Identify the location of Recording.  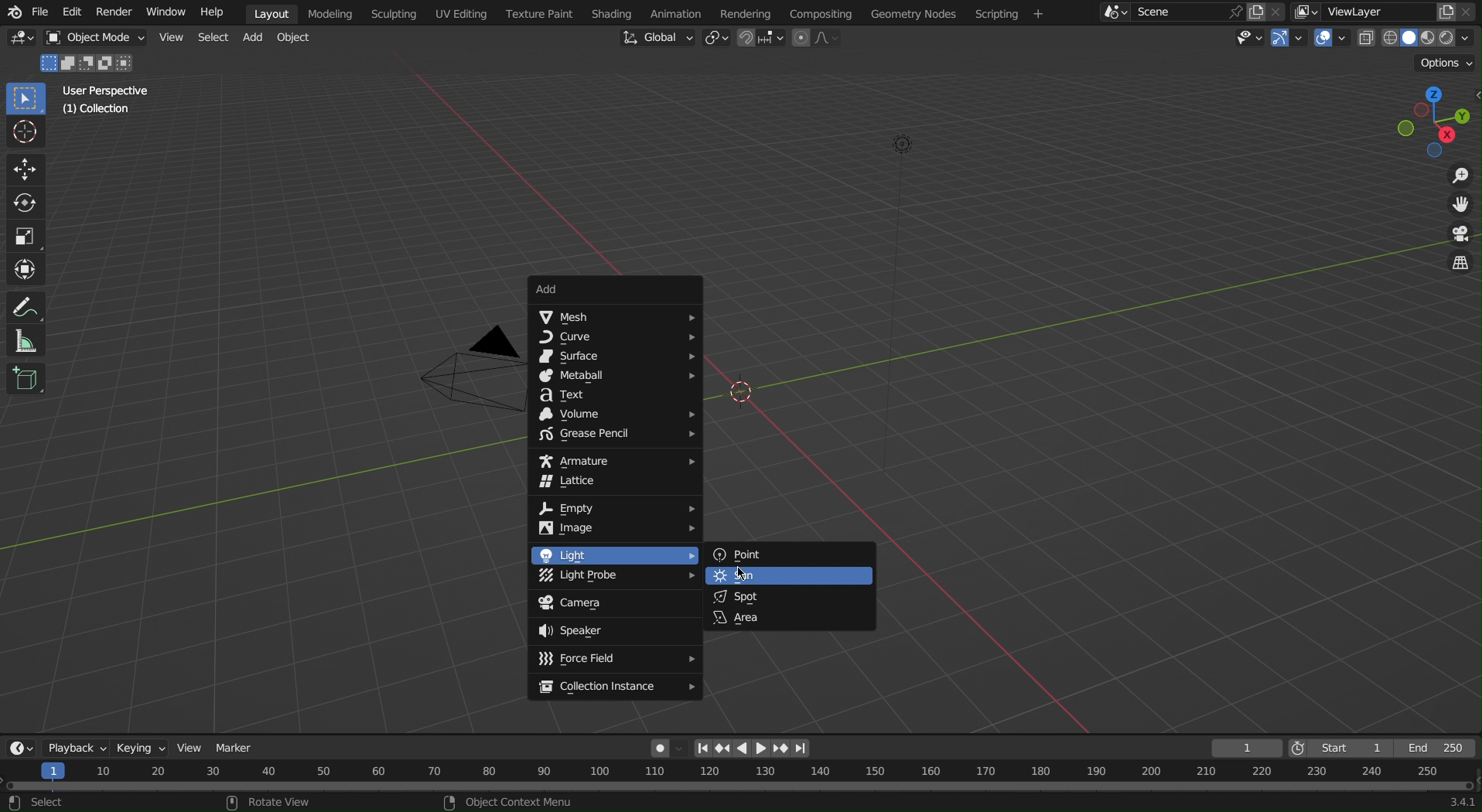
(667, 747).